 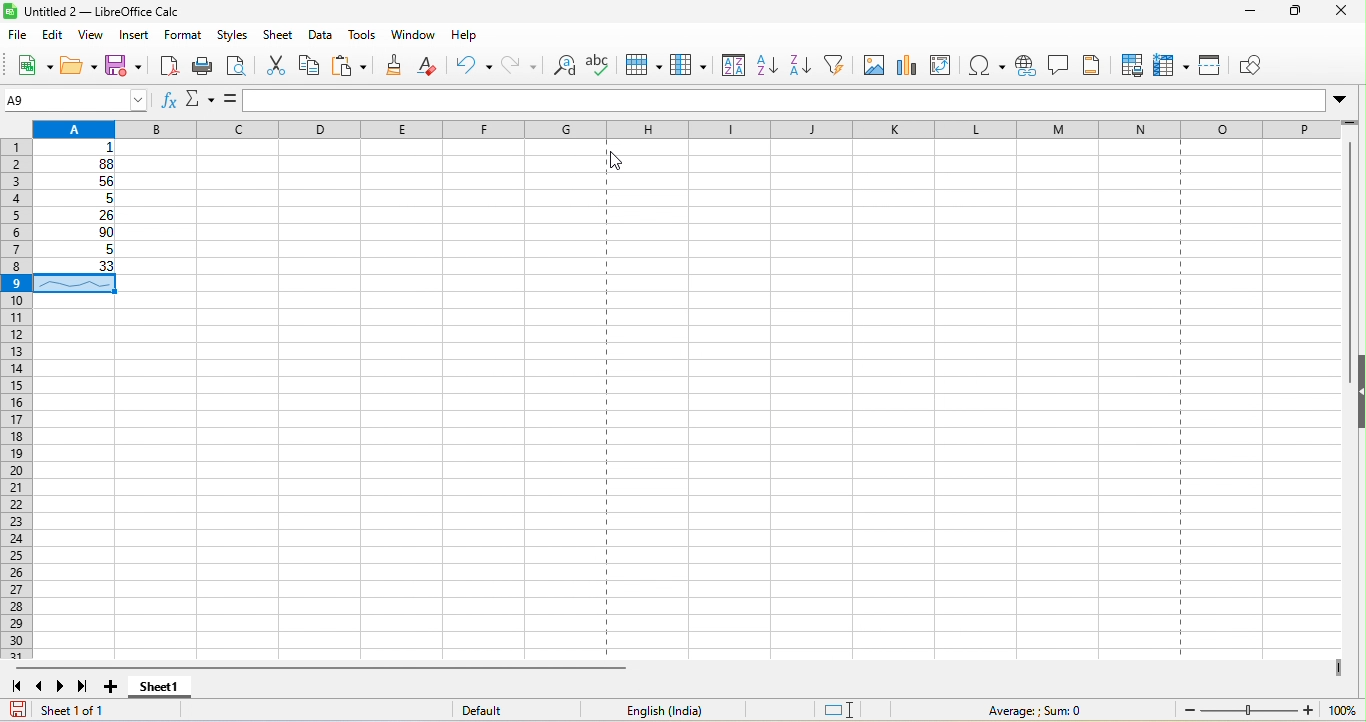 What do you see at coordinates (82, 148) in the screenshot?
I see `1` at bounding box center [82, 148].